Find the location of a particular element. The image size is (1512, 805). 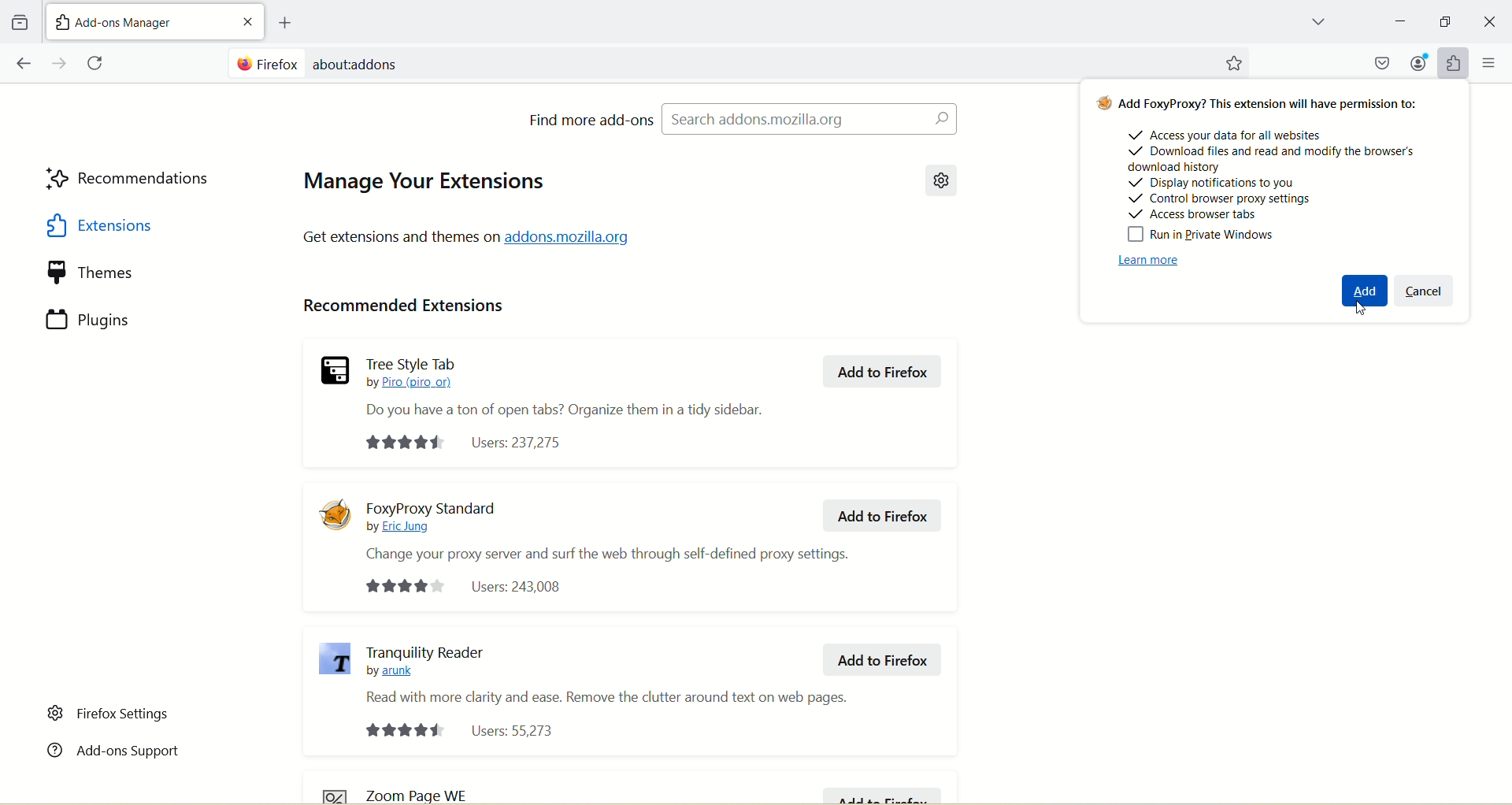

Find more add ons is located at coordinates (591, 119).